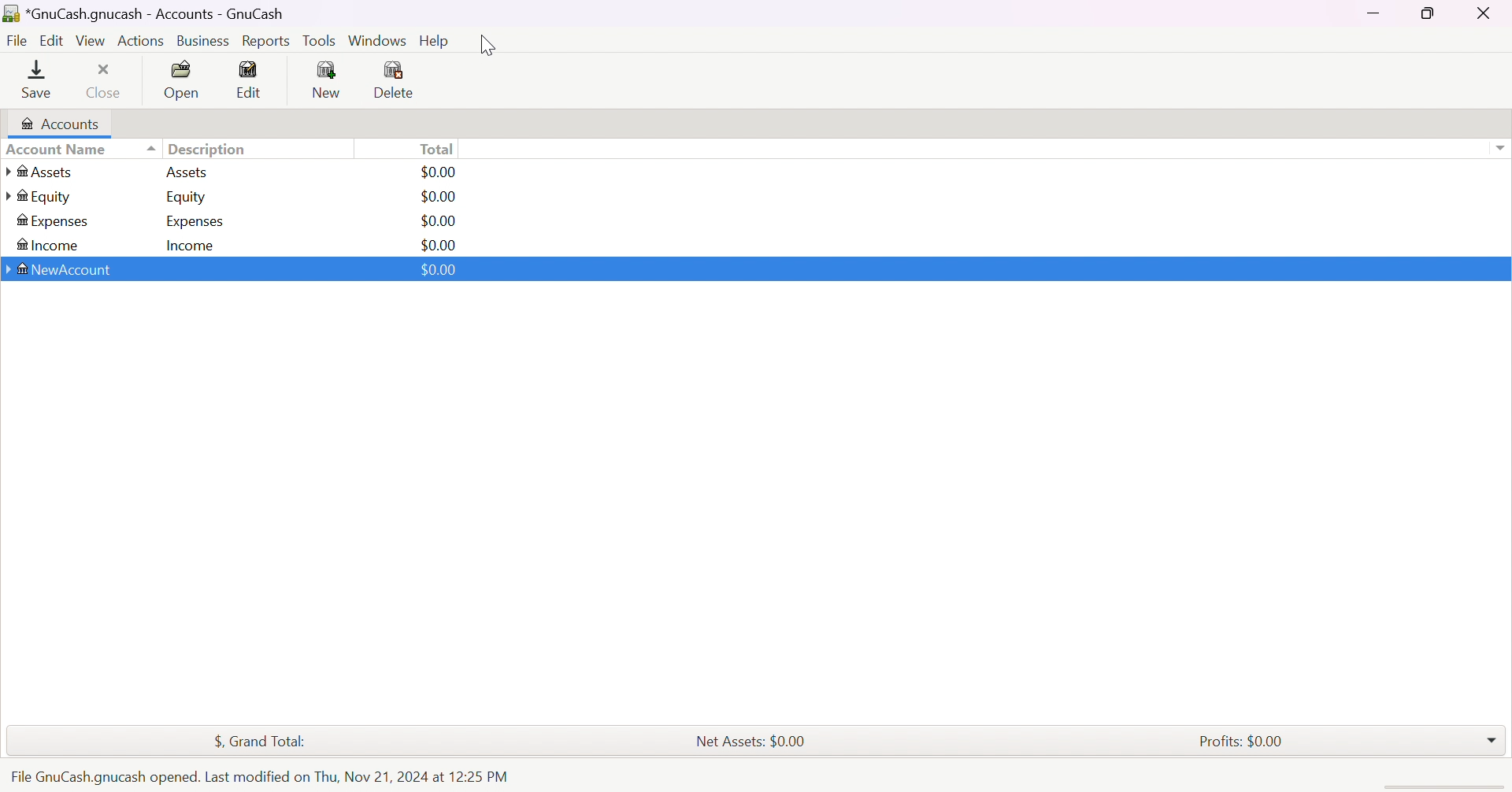 The height and width of the screenshot is (792, 1512). What do you see at coordinates (196, 222) in the screenshot?
I see `Expenses` at bounding box center [196, 222].